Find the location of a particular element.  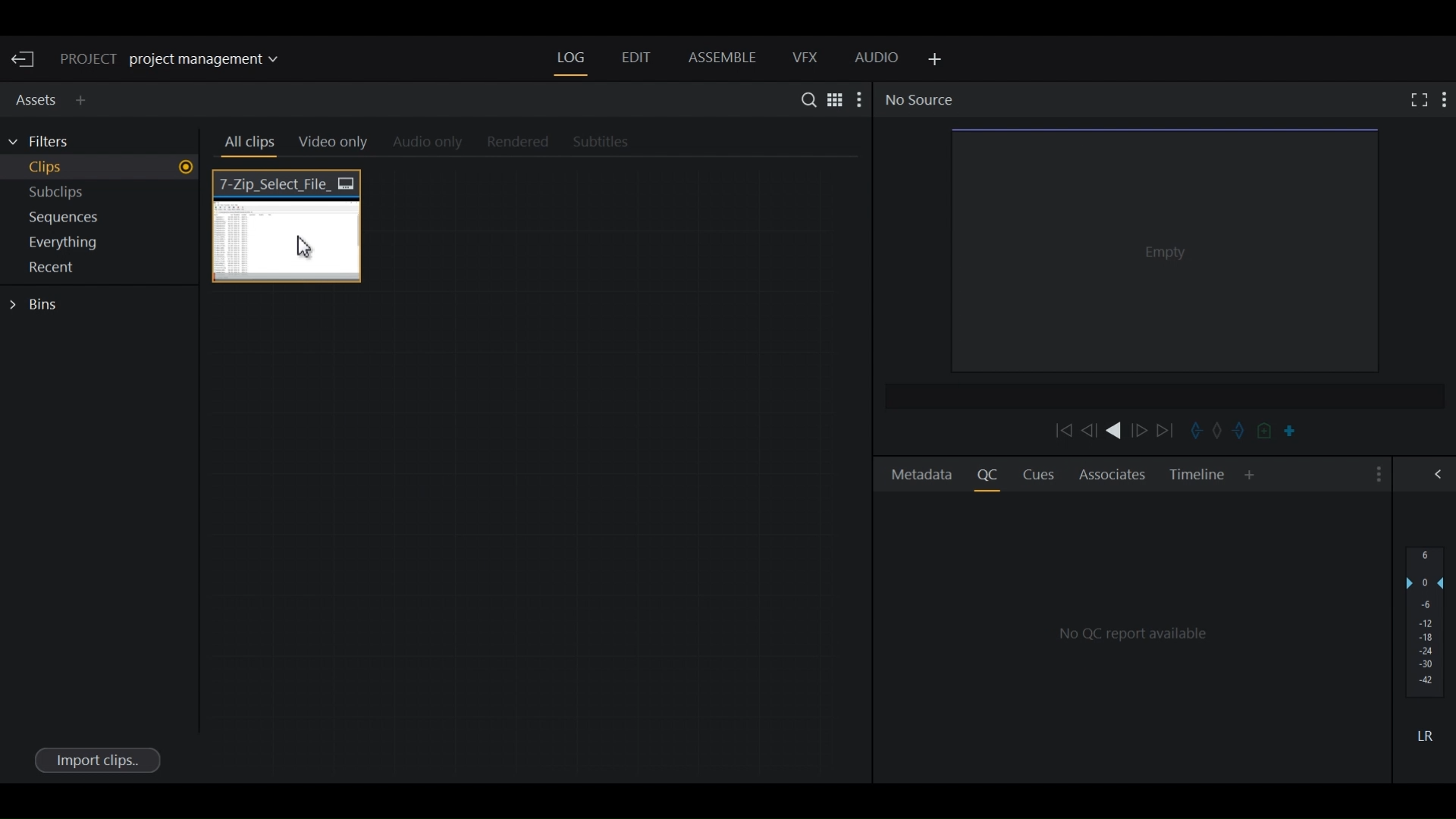

Add Panel is located at coordinates (1250, 475).